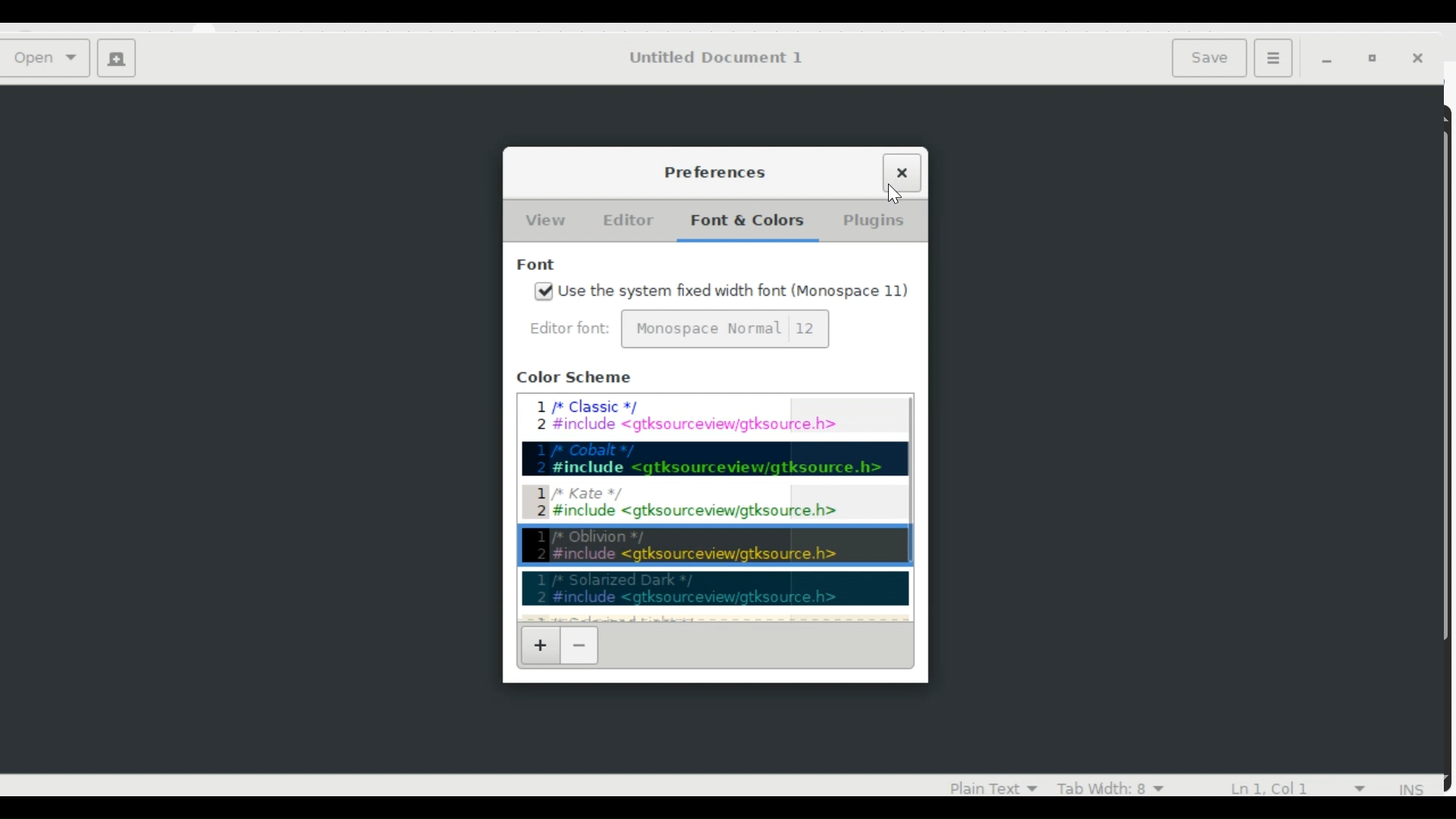  Describe the element at coordinates (1212, 57) in the screenshot. I see `Save` at that location.